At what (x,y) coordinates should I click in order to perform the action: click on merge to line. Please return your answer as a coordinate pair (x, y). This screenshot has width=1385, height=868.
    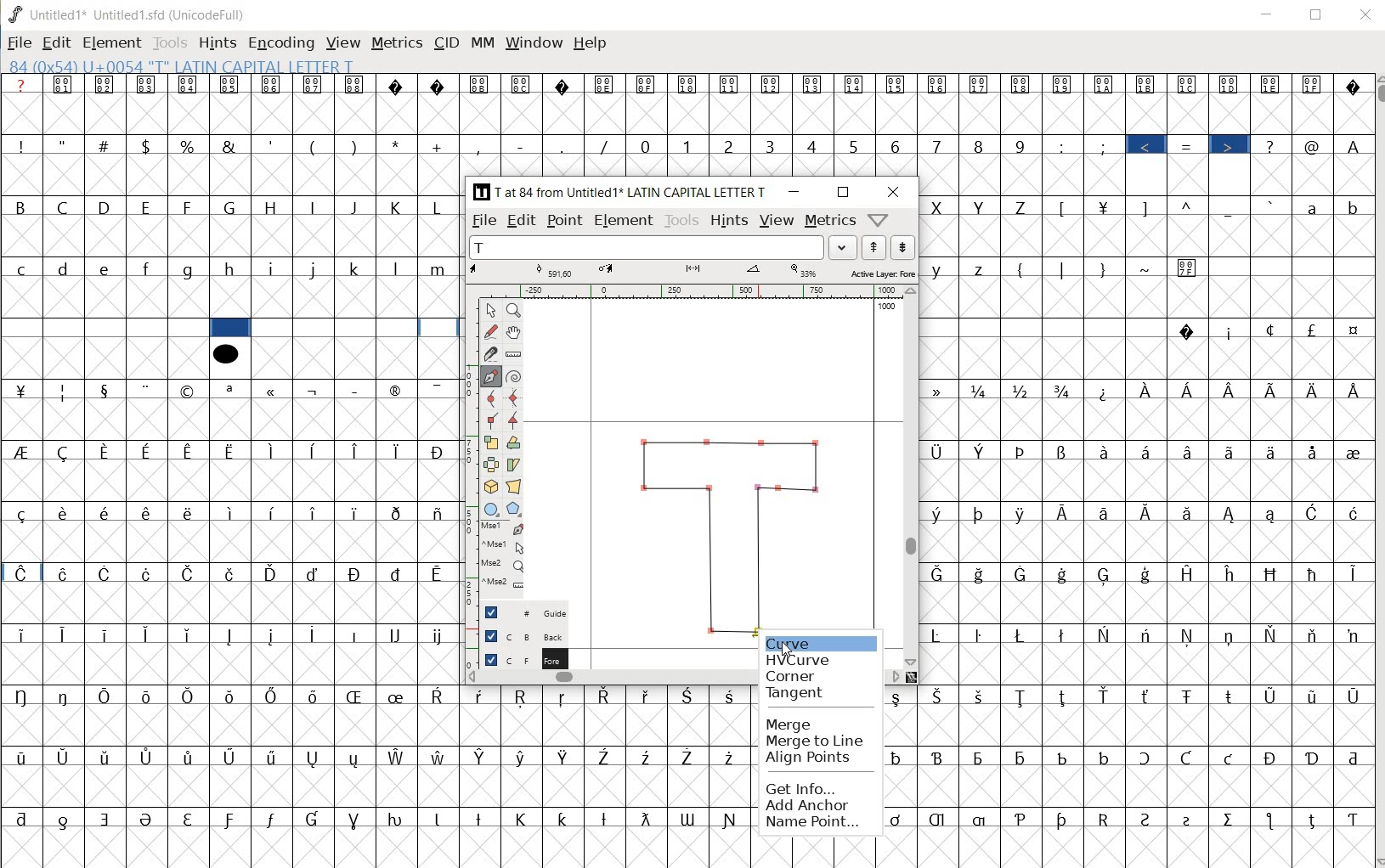
    Looking at the image, I should click on (817, 741).